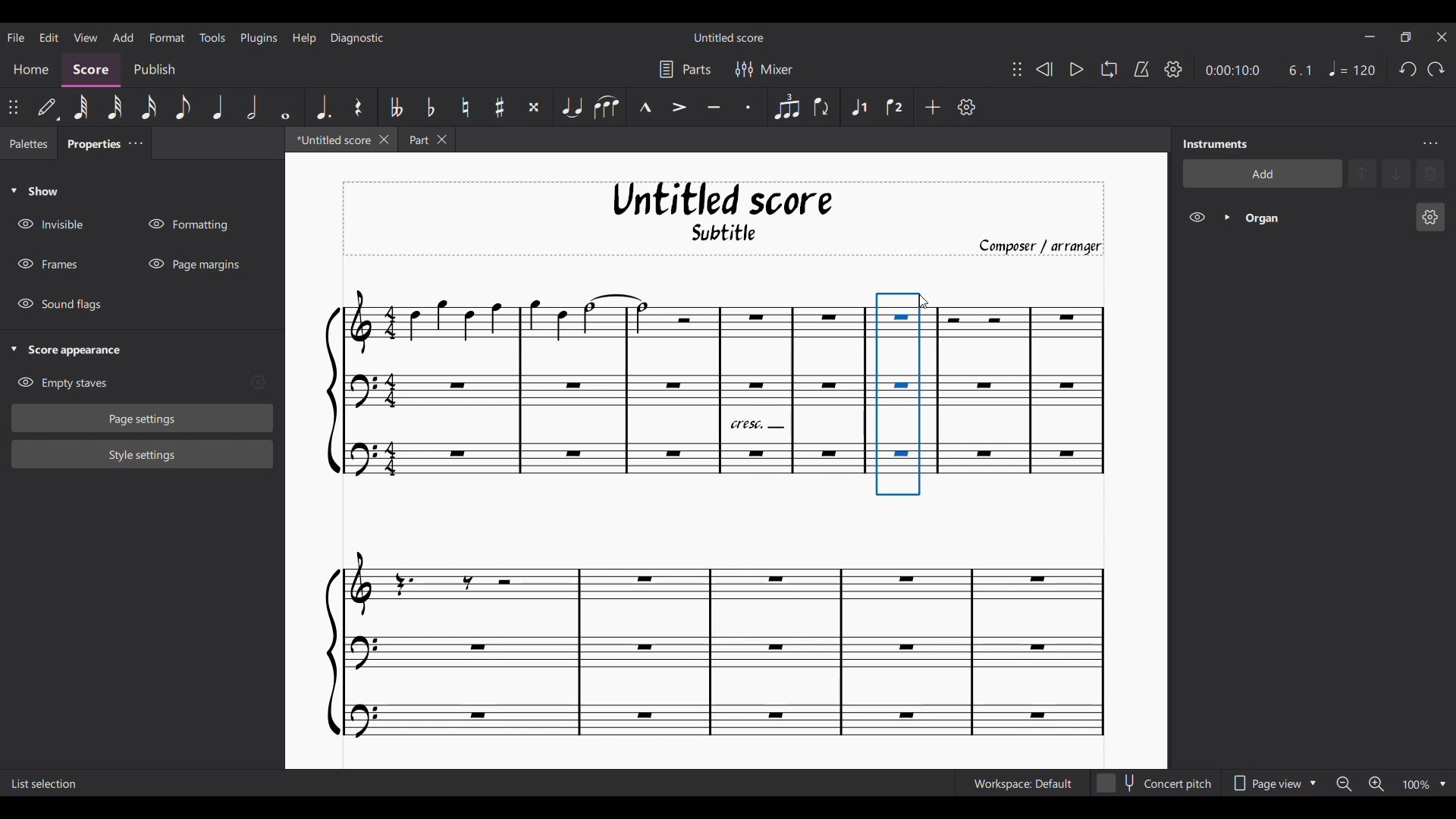  Describe the element at coordinates (723, 219) in the screenshot. I see `Score title, sub-title, and composer name` at that location.